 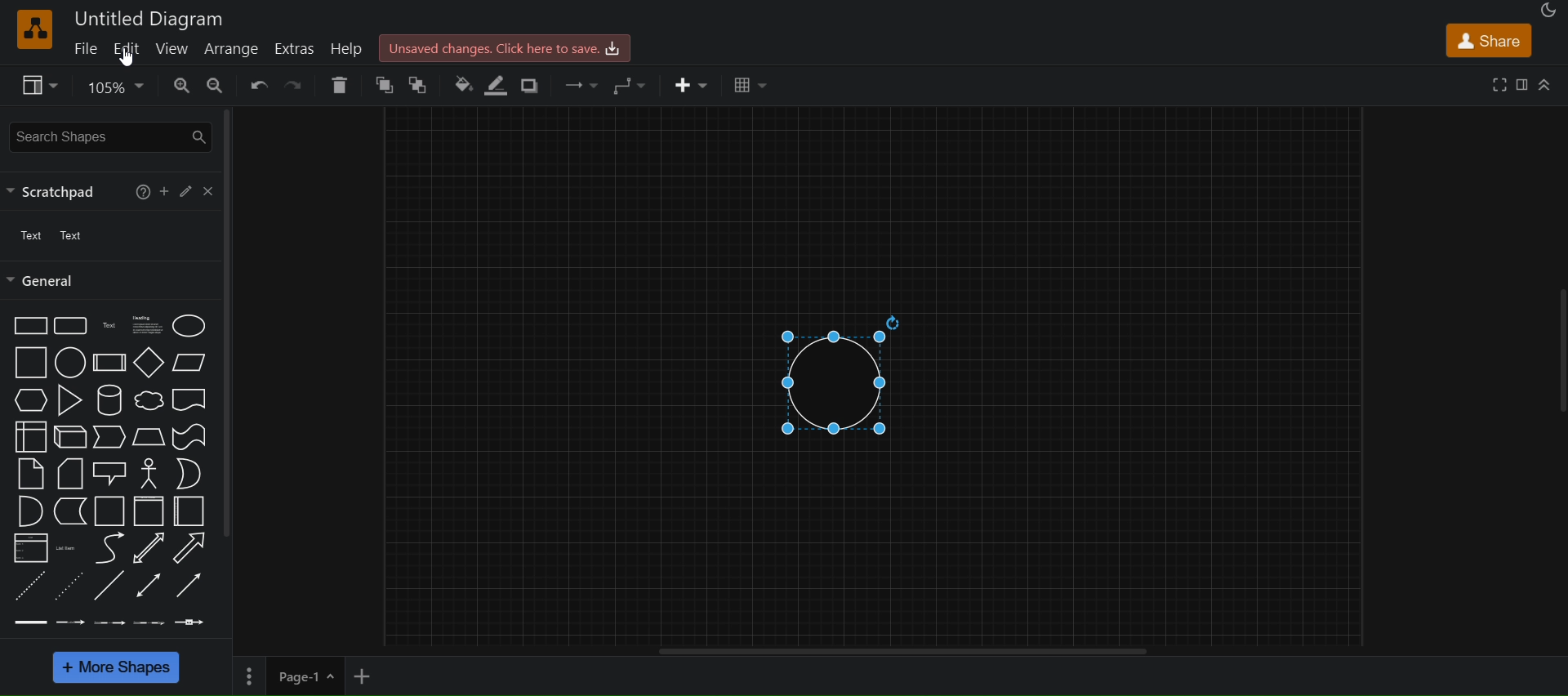 I want to click on collapase/expand, so click(x=1545, y=84).